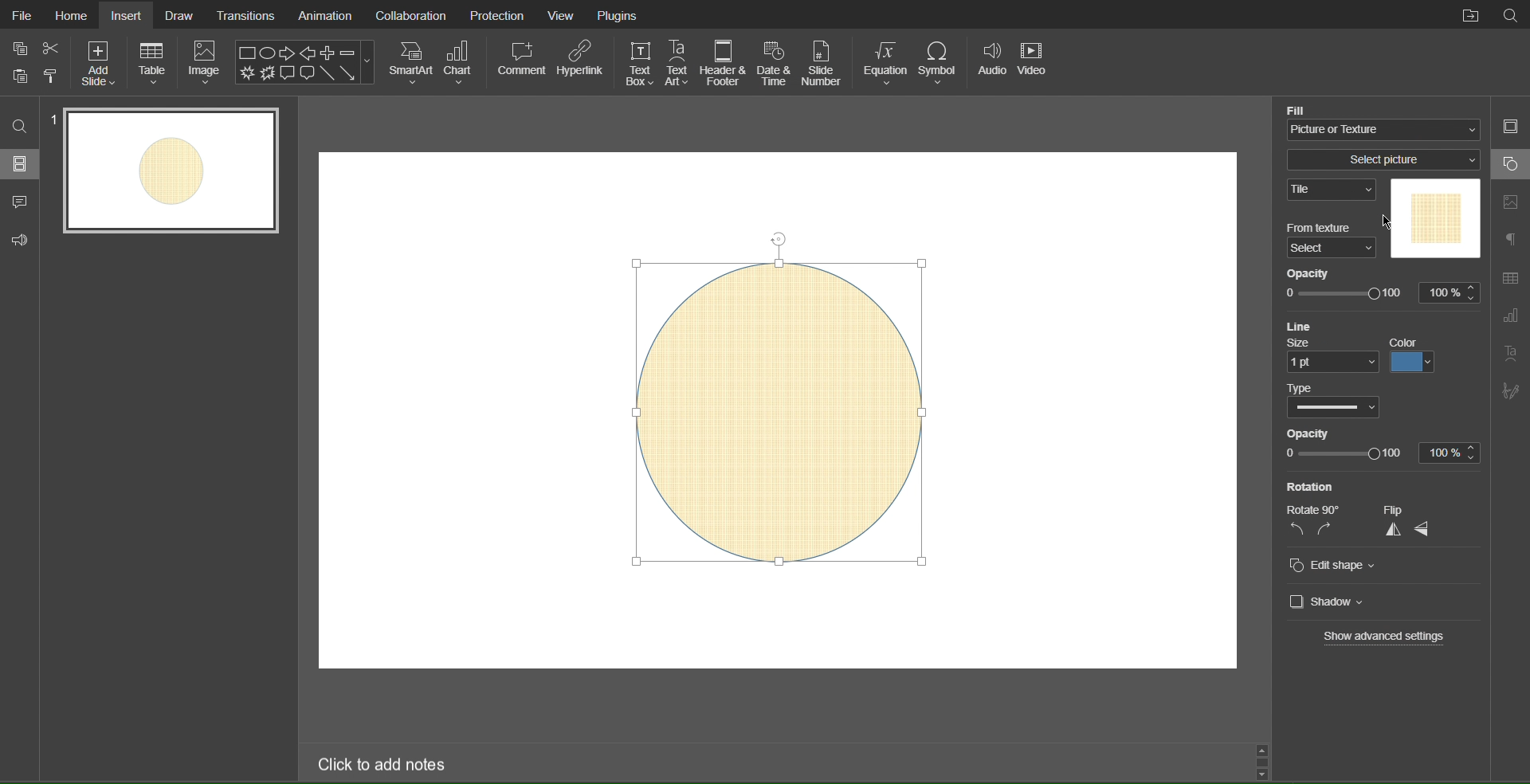  Describe the element at coordinates (1293, 530) in the screenshot. I see `rotate left` at that location.